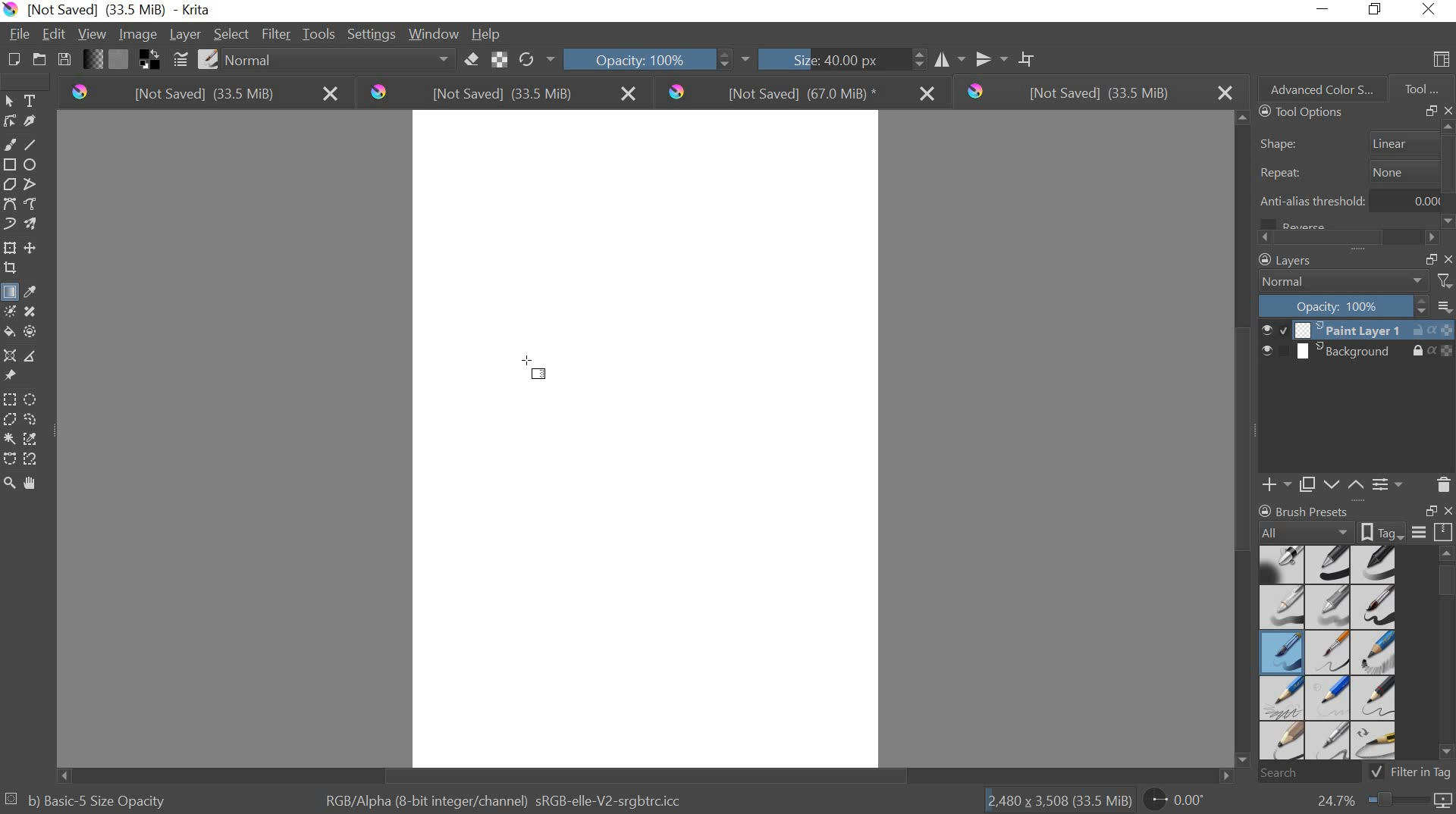 This screenshot has width=1456, height=814. What do you see at coordinates (1430, 258) in the screenshot?
I see `RESTORE DOWN` at bounding box center [1430, 258].